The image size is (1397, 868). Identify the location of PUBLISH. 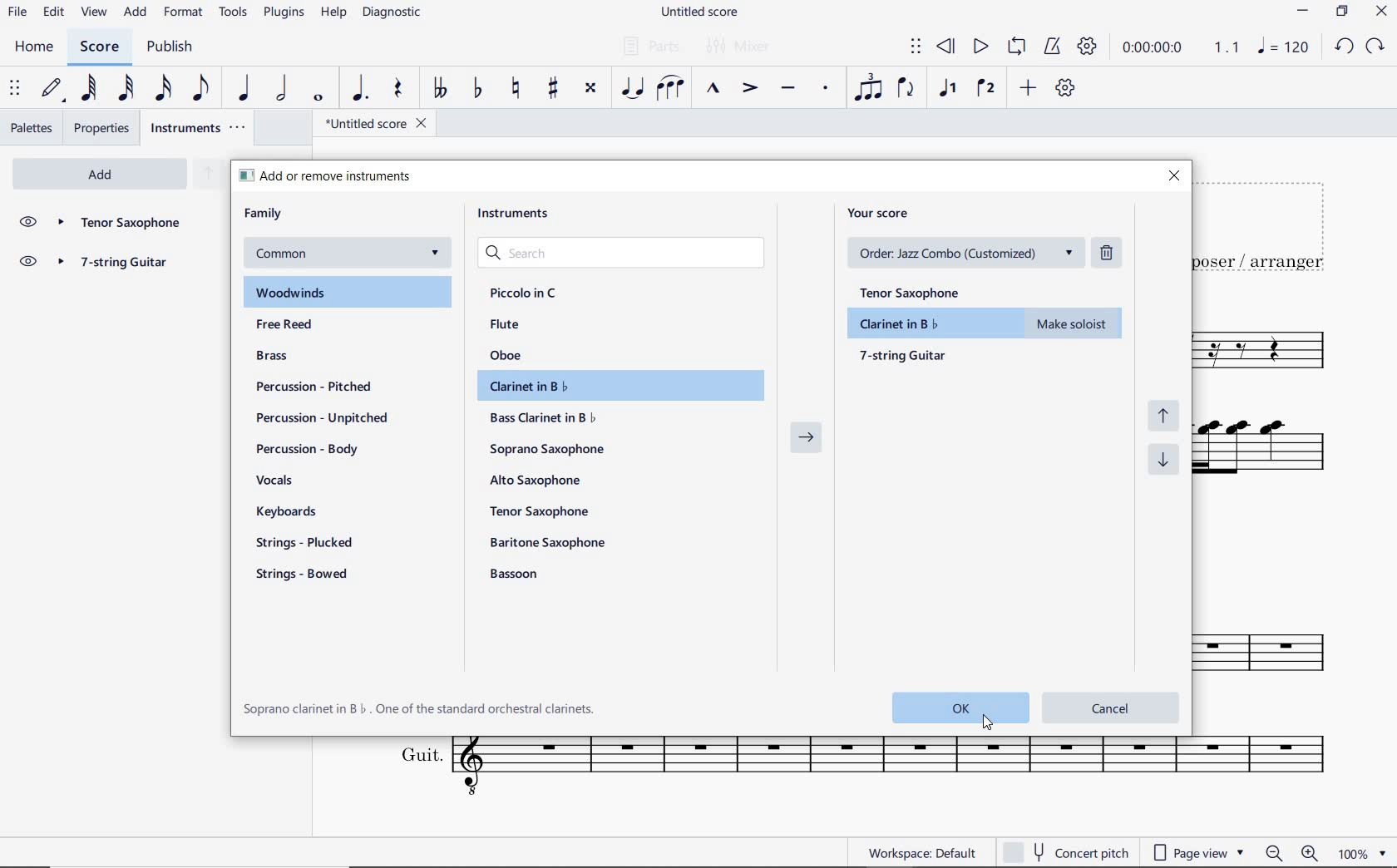
(167, 47).